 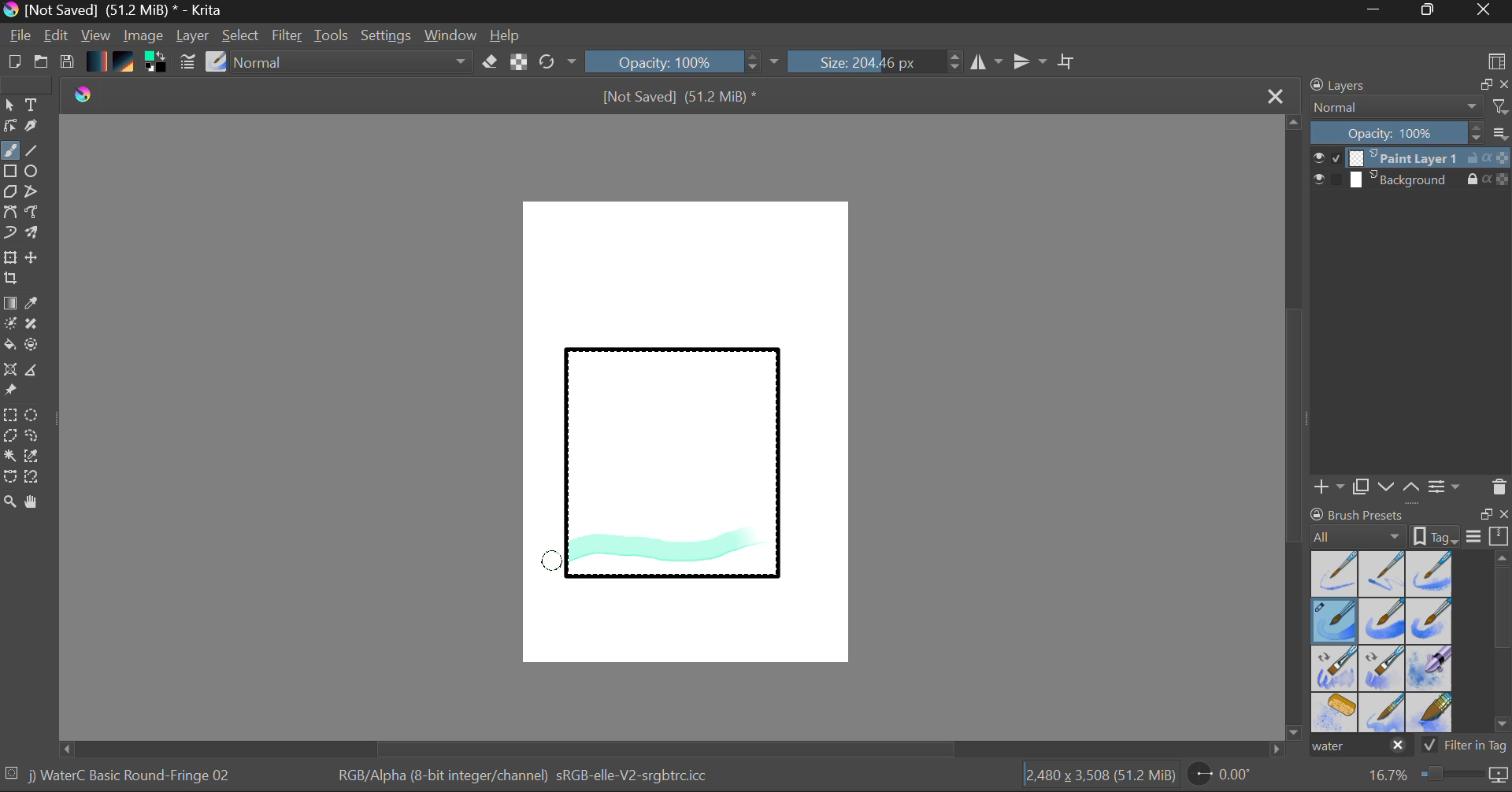 I want to click on Color Information, so click(x=521, y=777).